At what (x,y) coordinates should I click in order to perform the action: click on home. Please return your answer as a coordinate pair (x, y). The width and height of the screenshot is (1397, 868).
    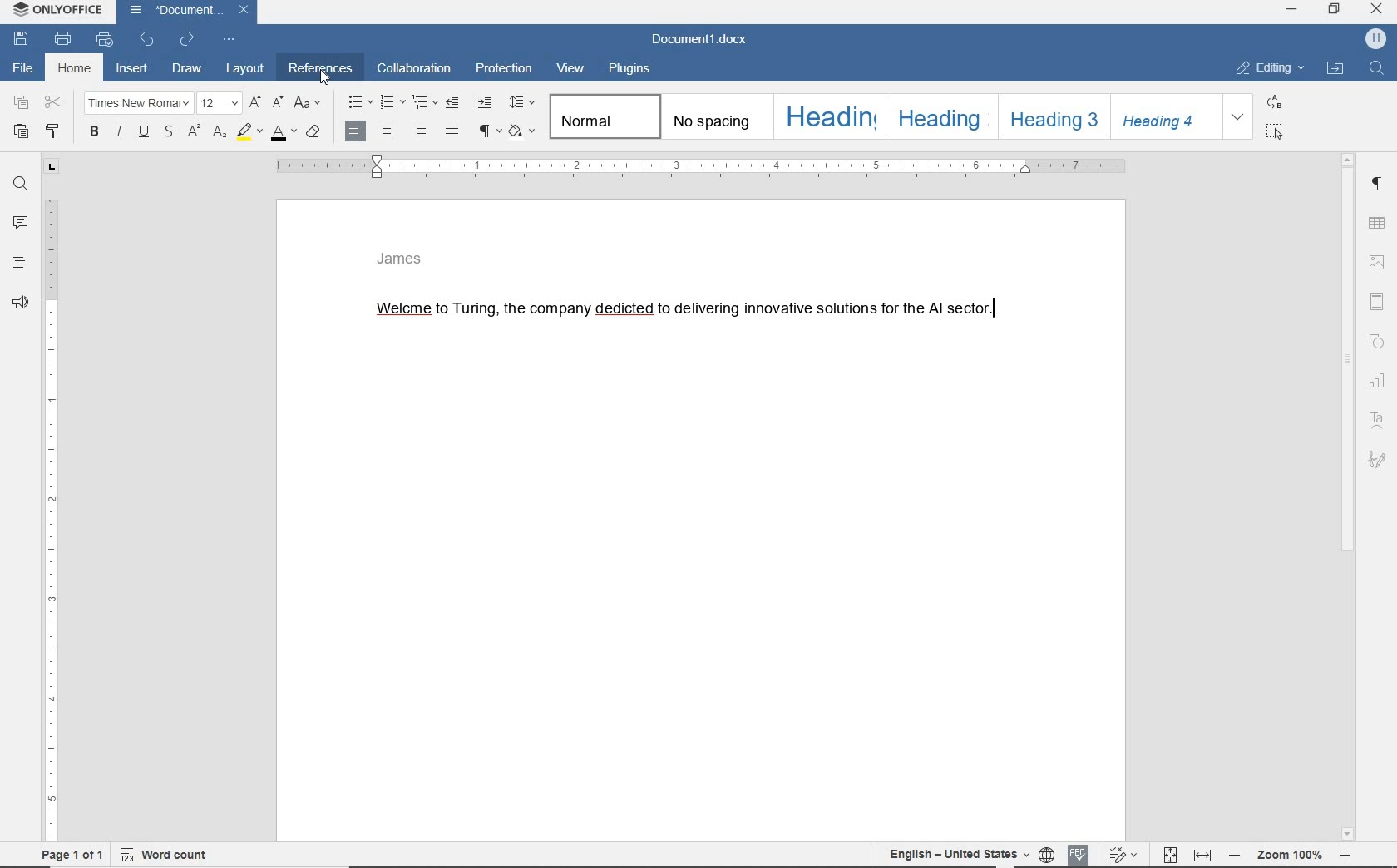
    Looking at the image, I should click on (73, 69).